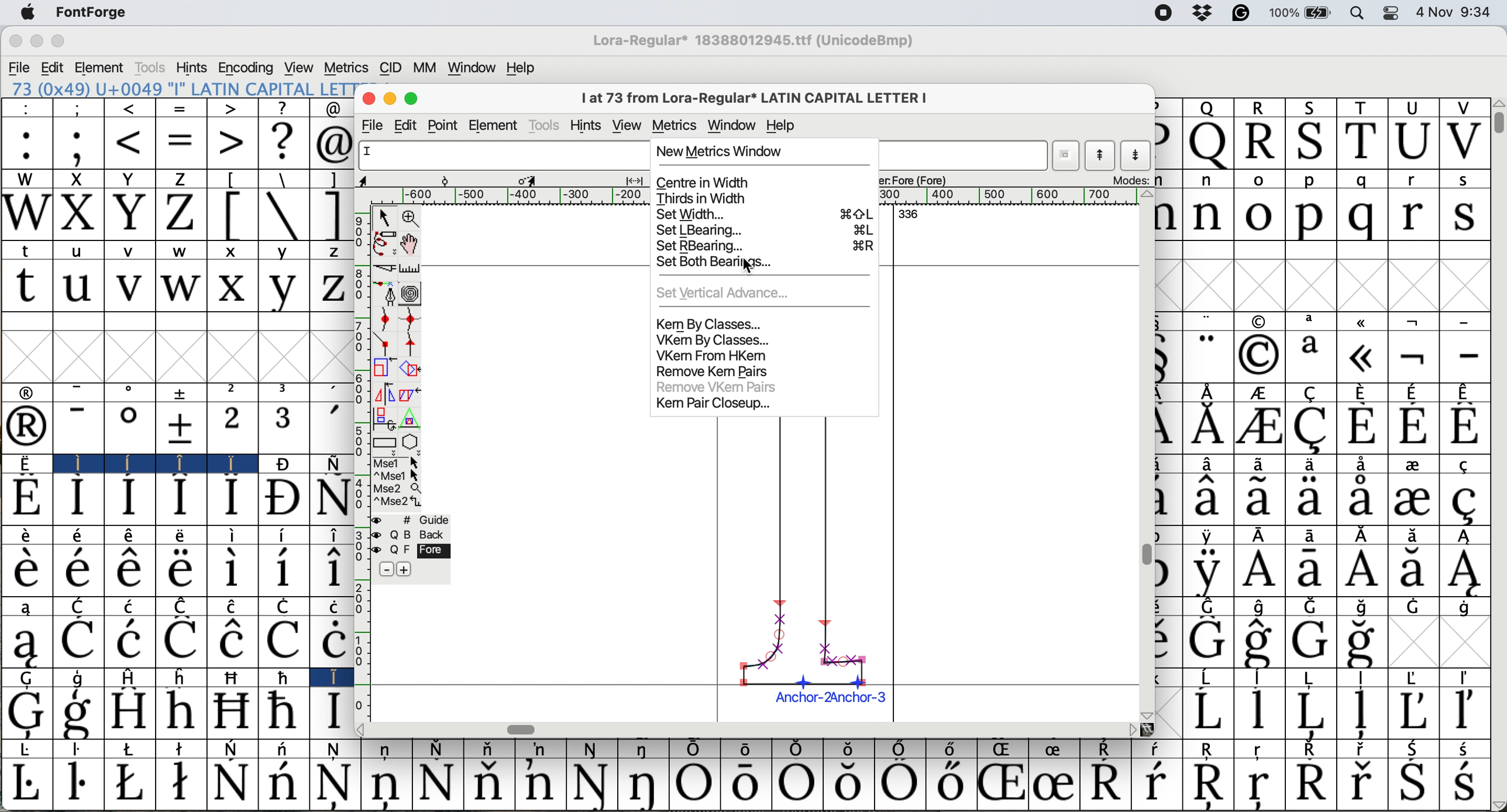 This screenshot has height=812, width=1507. I want to click on Symbol, so click(128, 429).